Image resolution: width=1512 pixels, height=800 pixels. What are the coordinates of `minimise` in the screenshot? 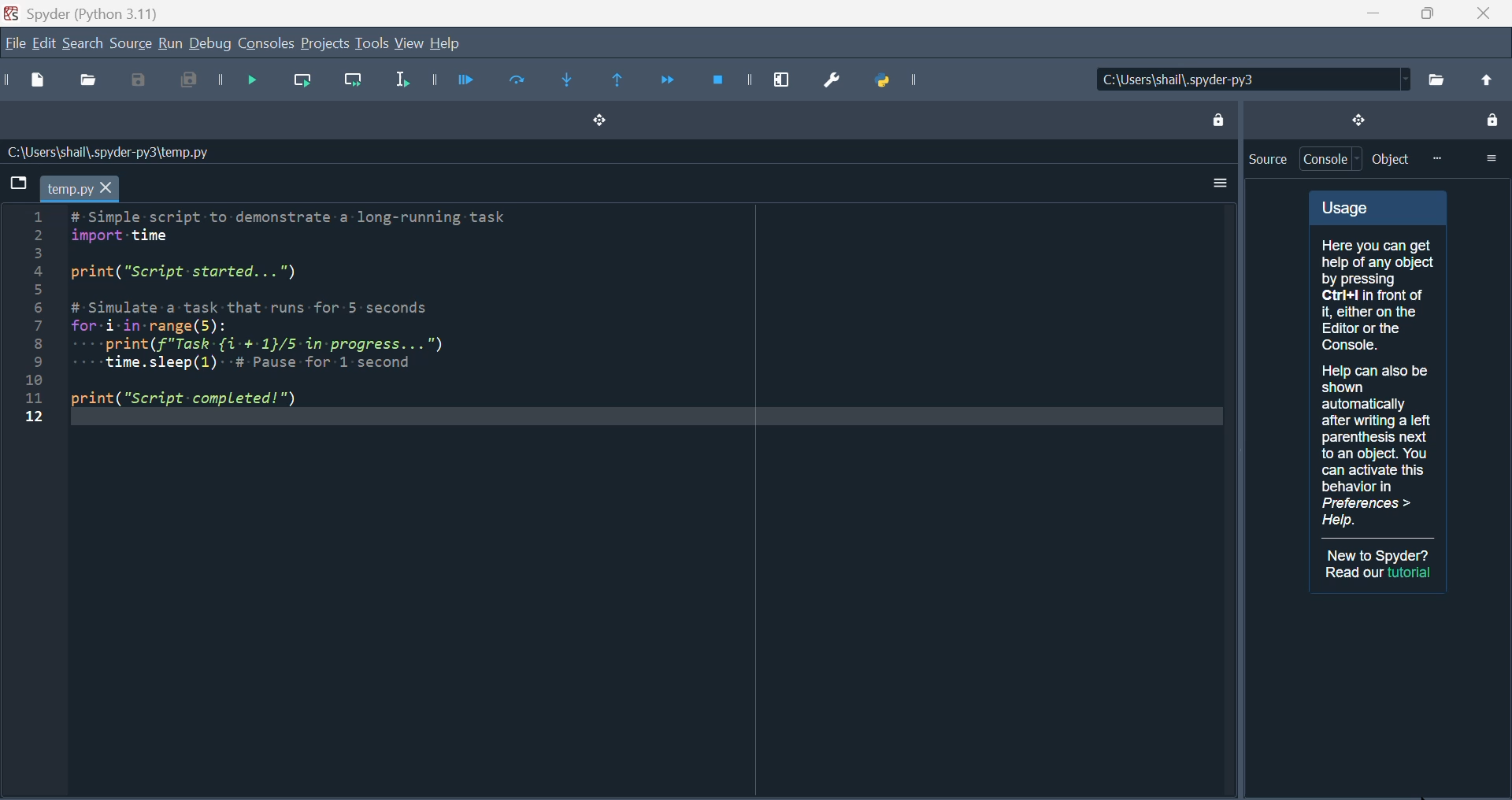 It's located at (1366, 13).